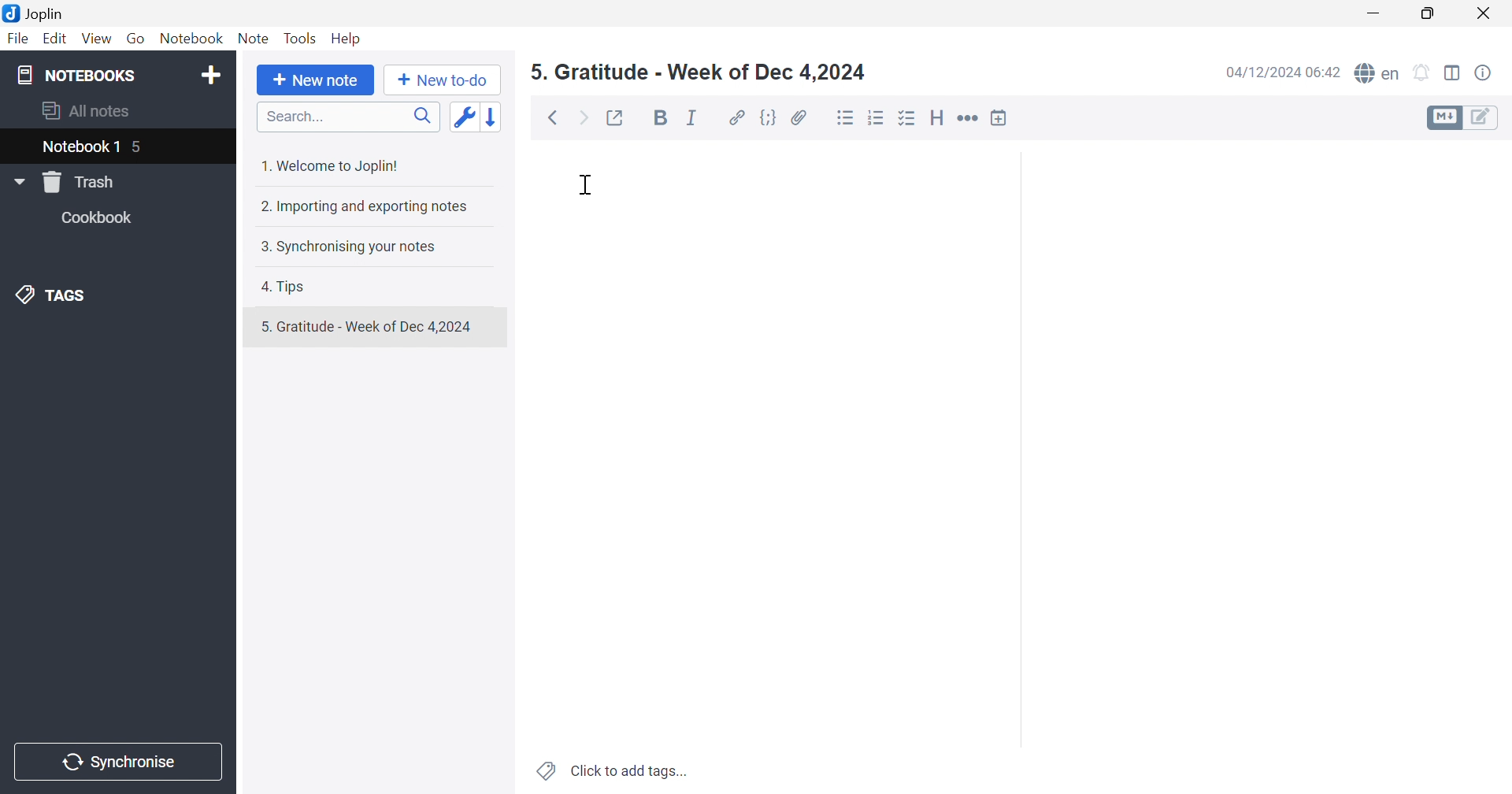 The height and width of the screenshot is (794, 1512). I want to click on Notebook, so click(190, 38).